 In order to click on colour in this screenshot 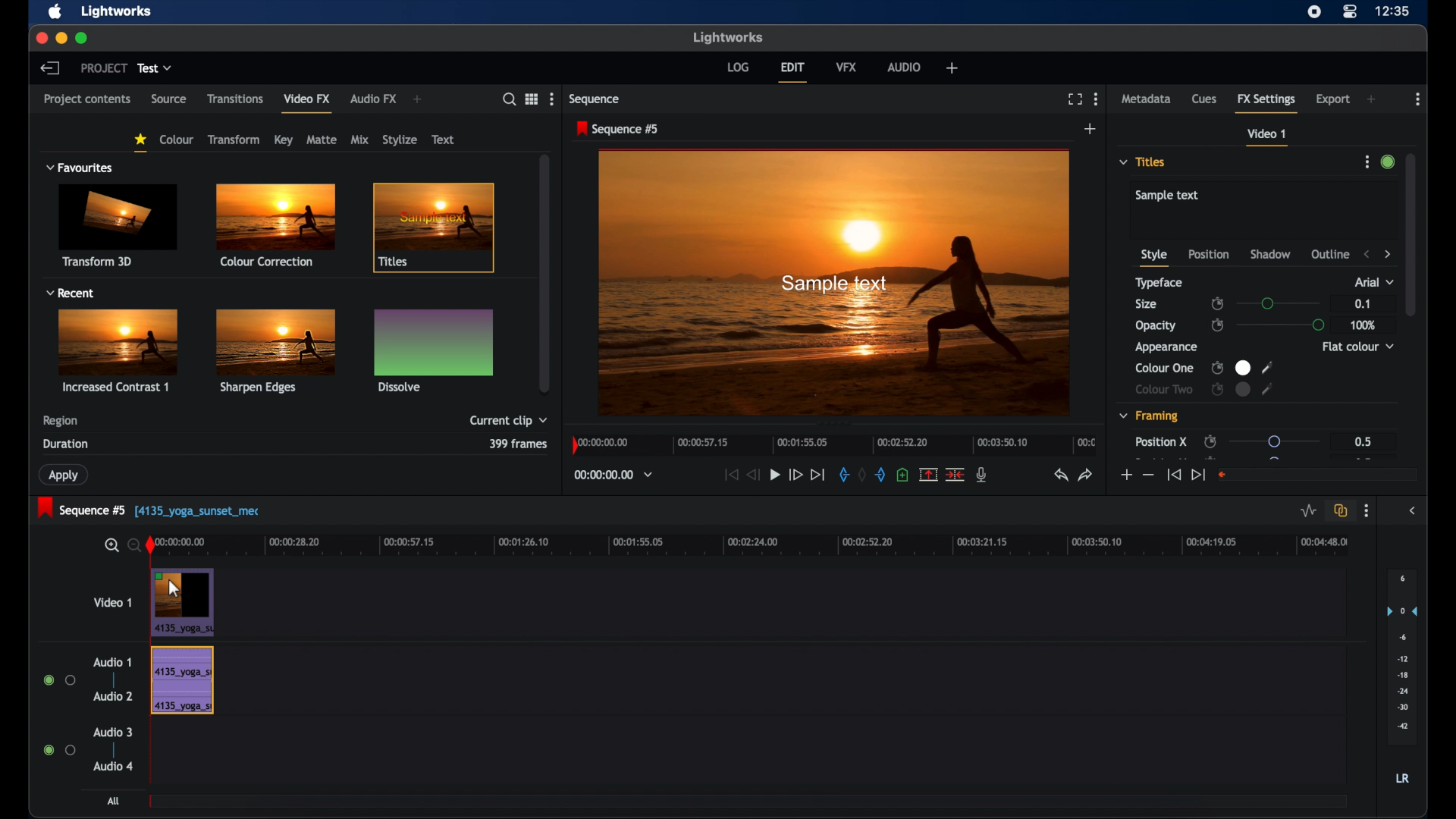, I will do `click(176, 140)`.